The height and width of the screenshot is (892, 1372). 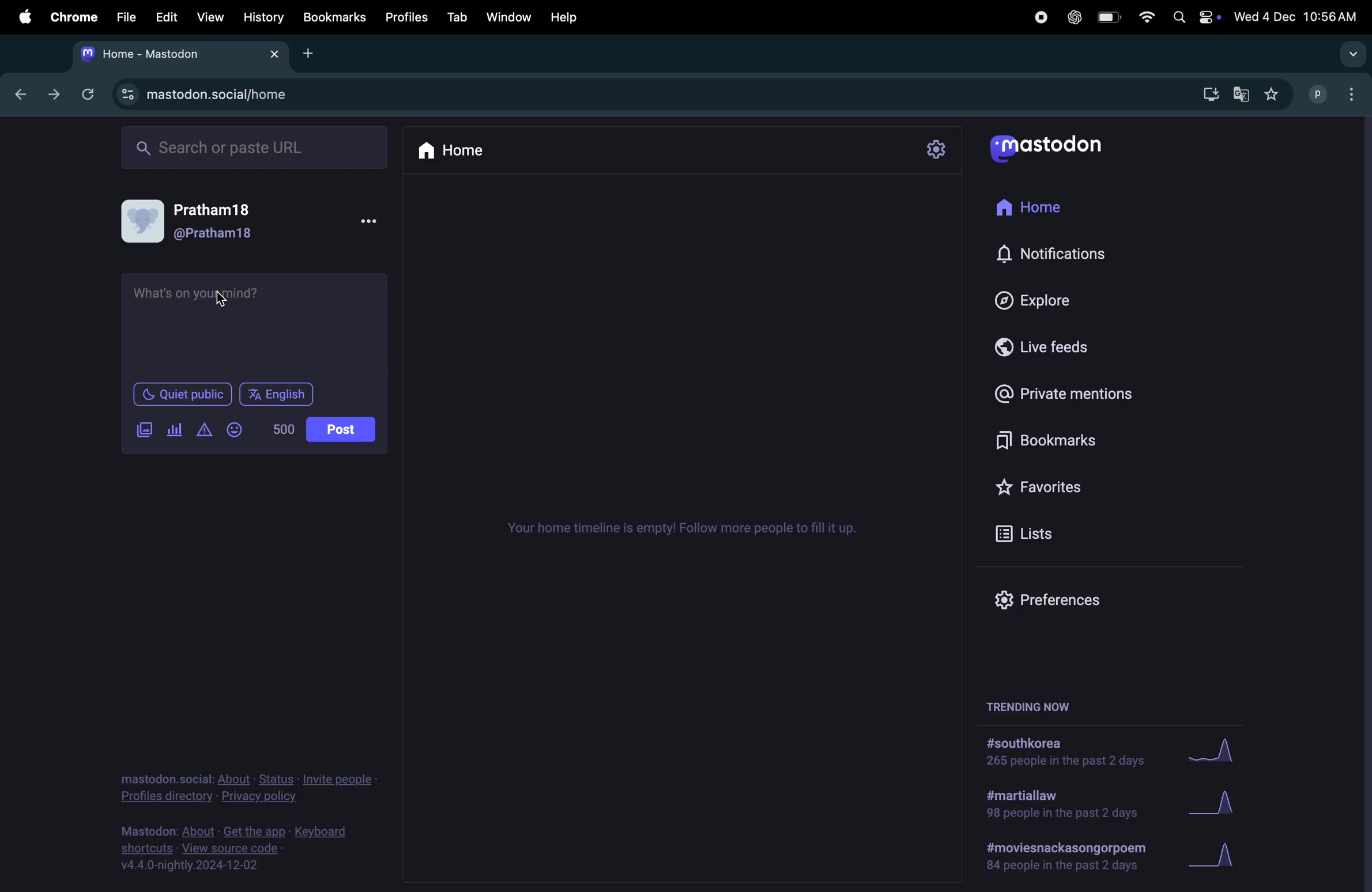 I want to click on apple menu, so click(x=24, y=18).